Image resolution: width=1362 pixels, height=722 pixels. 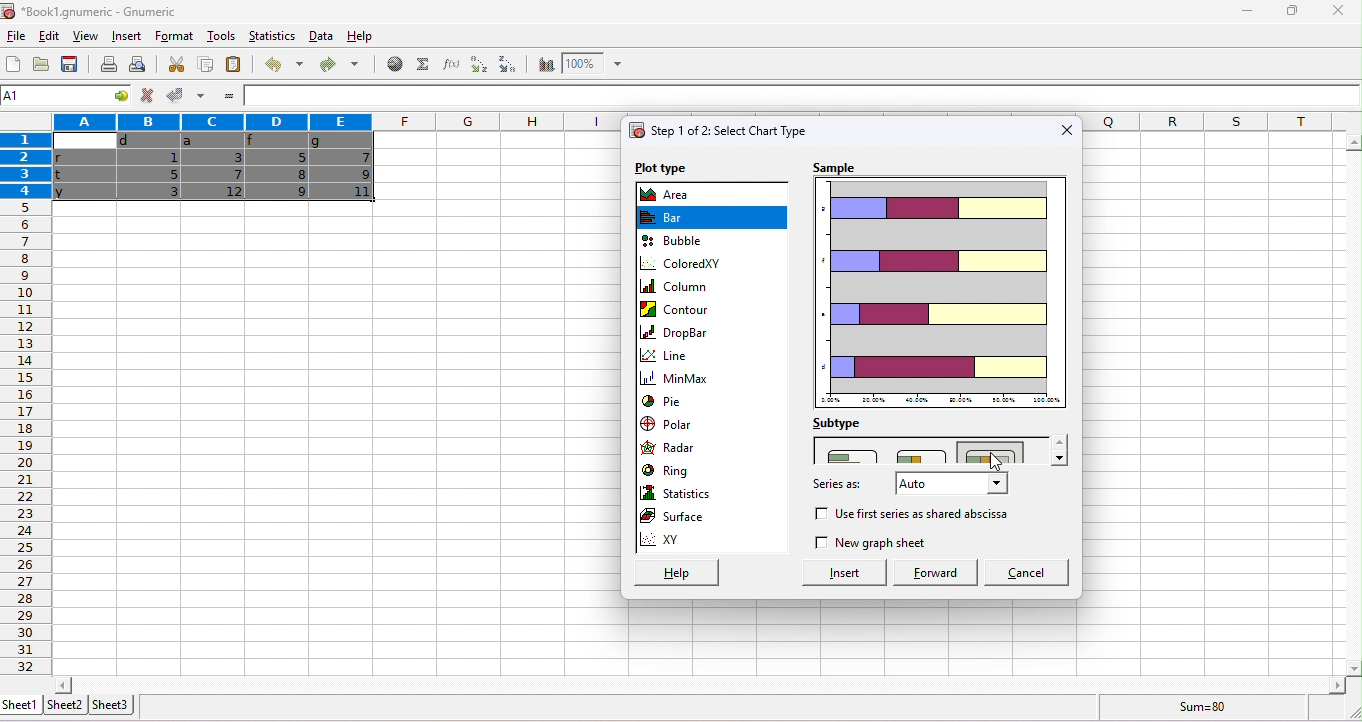 I want to click on Book1.gnumeric - Gnumeric, so click(x=92, y=11).